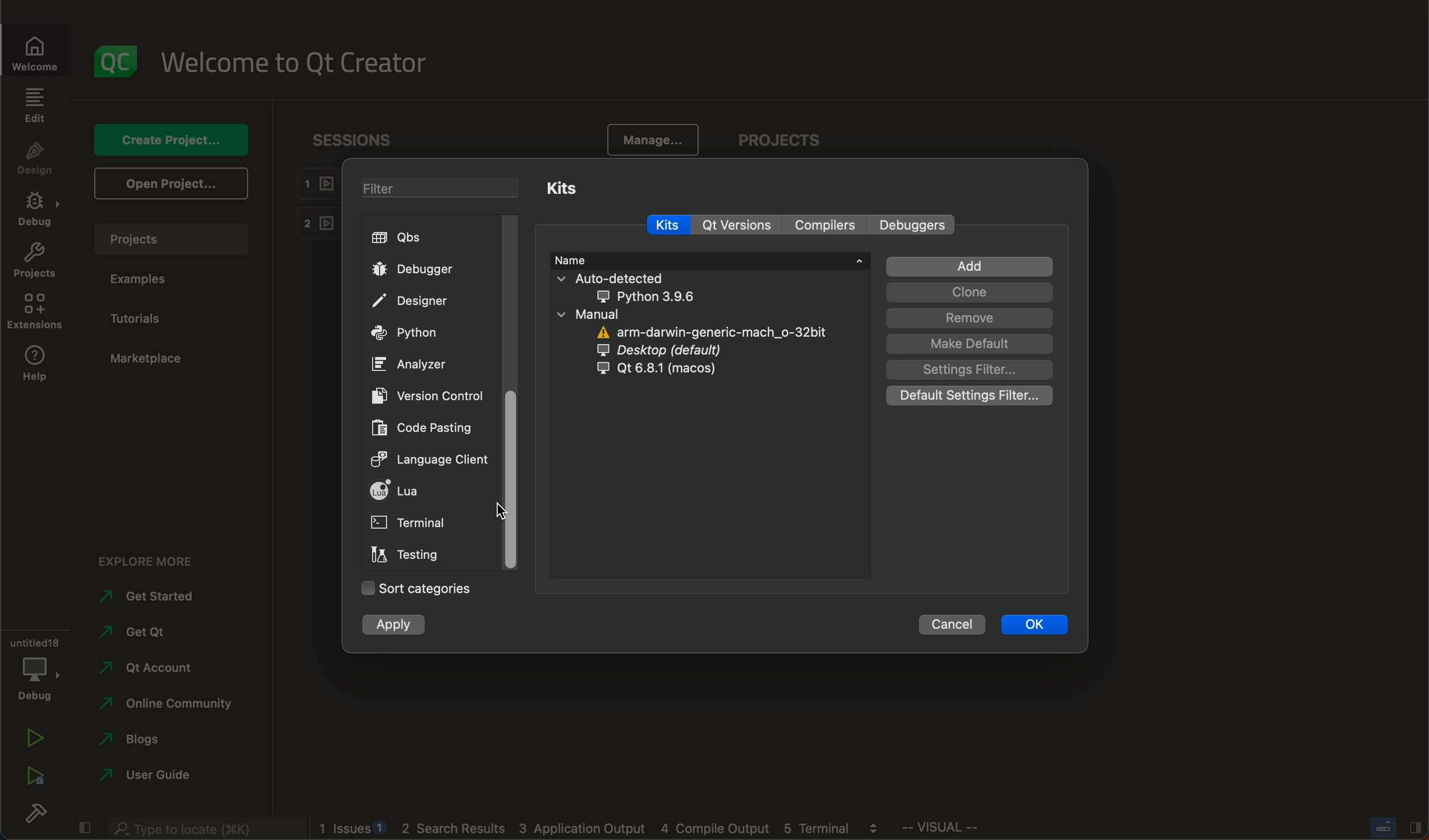 The height and width of the screenshot is (840, 1429). What do you see at coordinates (35, 365) in the screenshot?
I see `help` at bounding box center [35, 365].